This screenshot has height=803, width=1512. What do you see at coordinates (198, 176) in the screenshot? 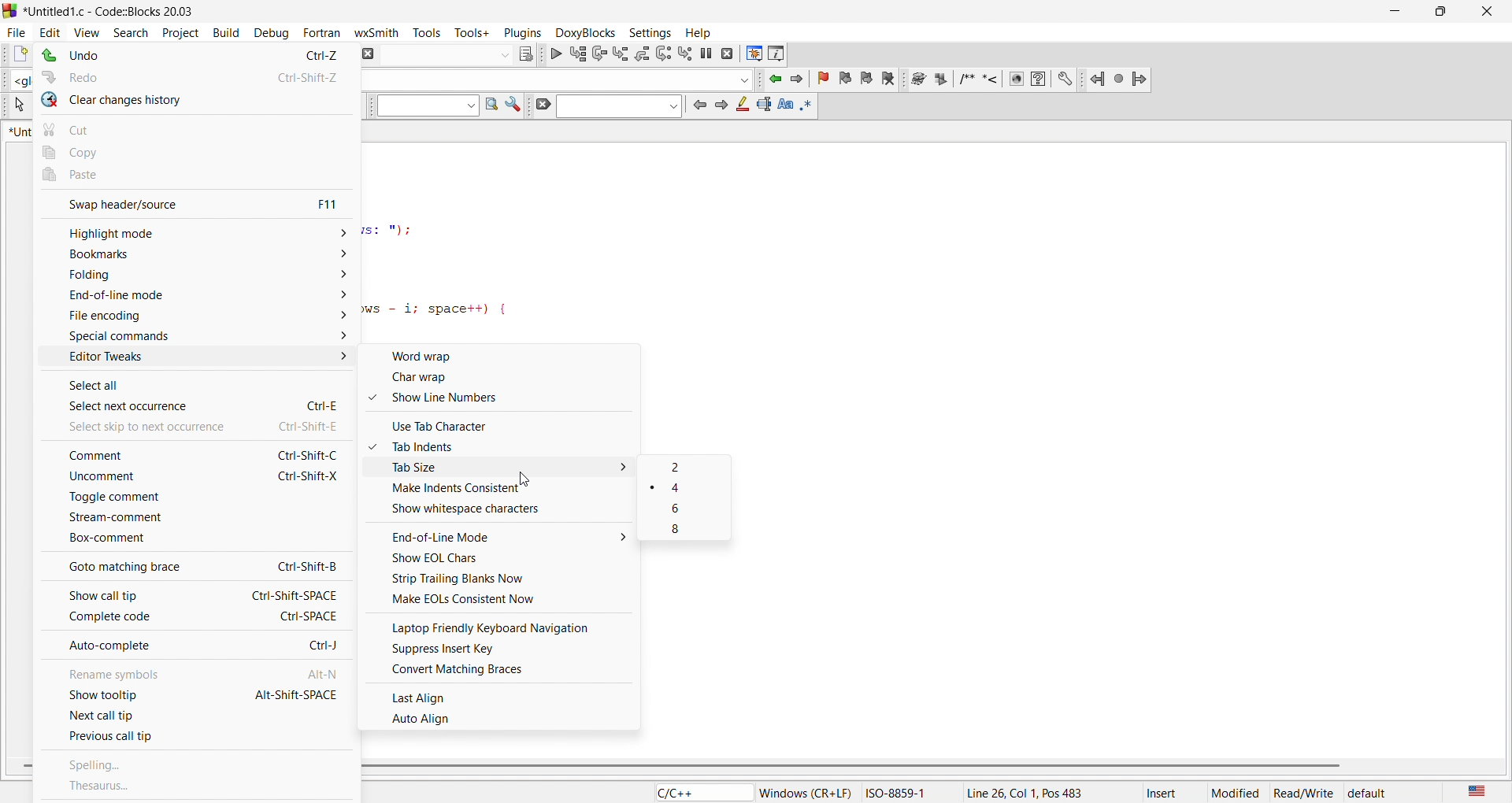
I see `paste` at bounding box center [198, 176].